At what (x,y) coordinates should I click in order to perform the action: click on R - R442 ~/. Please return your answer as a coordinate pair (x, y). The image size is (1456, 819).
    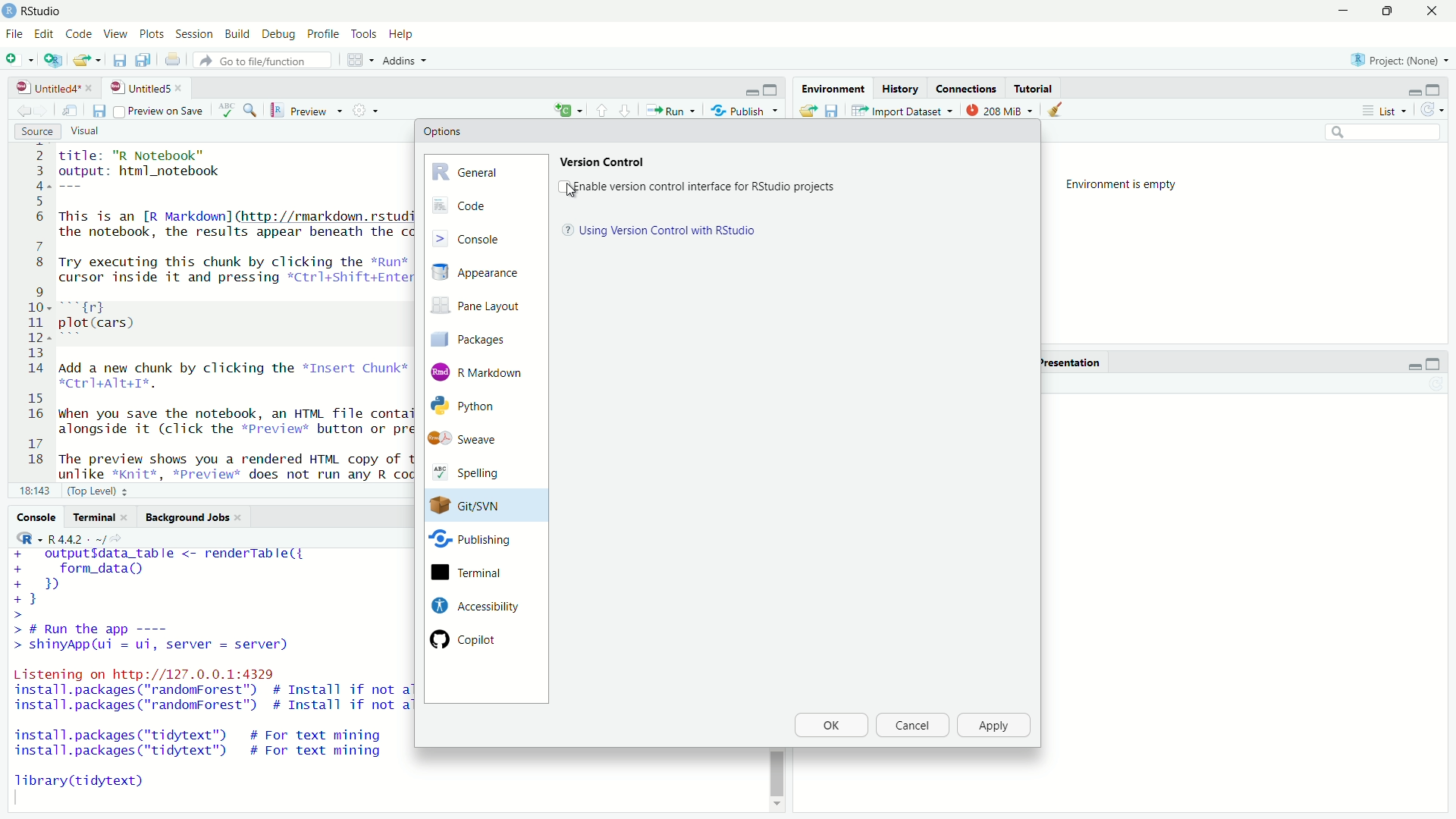
    Looking at the image, I should click on (59, 538).